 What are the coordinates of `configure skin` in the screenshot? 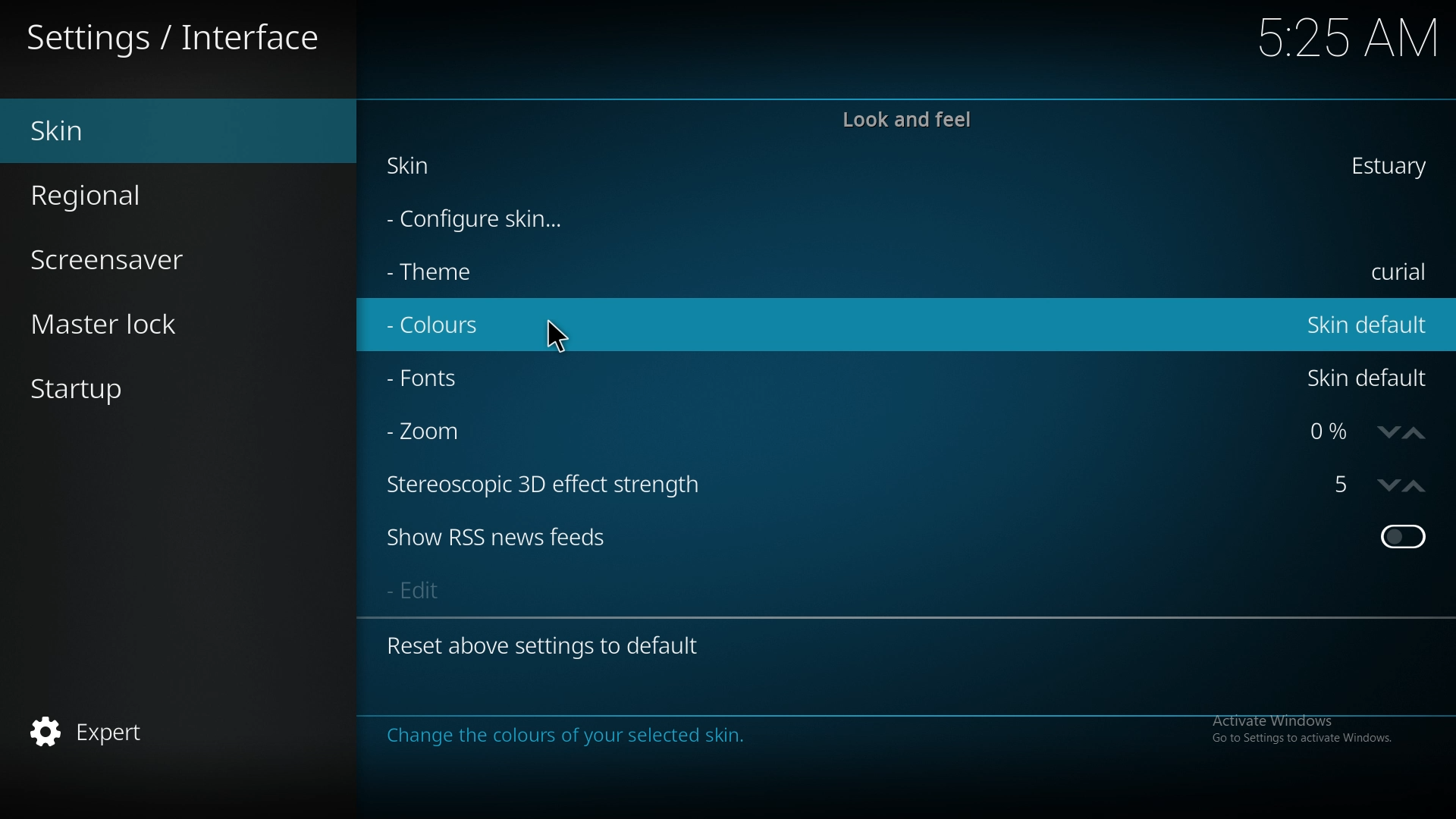 It's located at (485, 221).